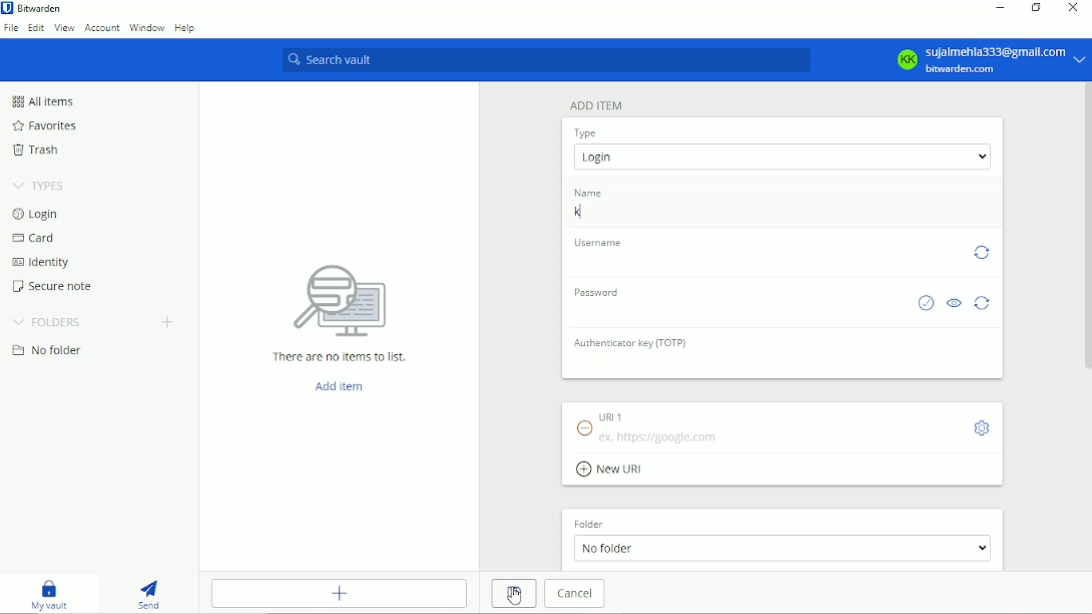 The height and width of the screenshot is (614, 1092). Describe the element at coordinates (926, 304) in the screenshot. I see `Check if password has been exposed` at that location.